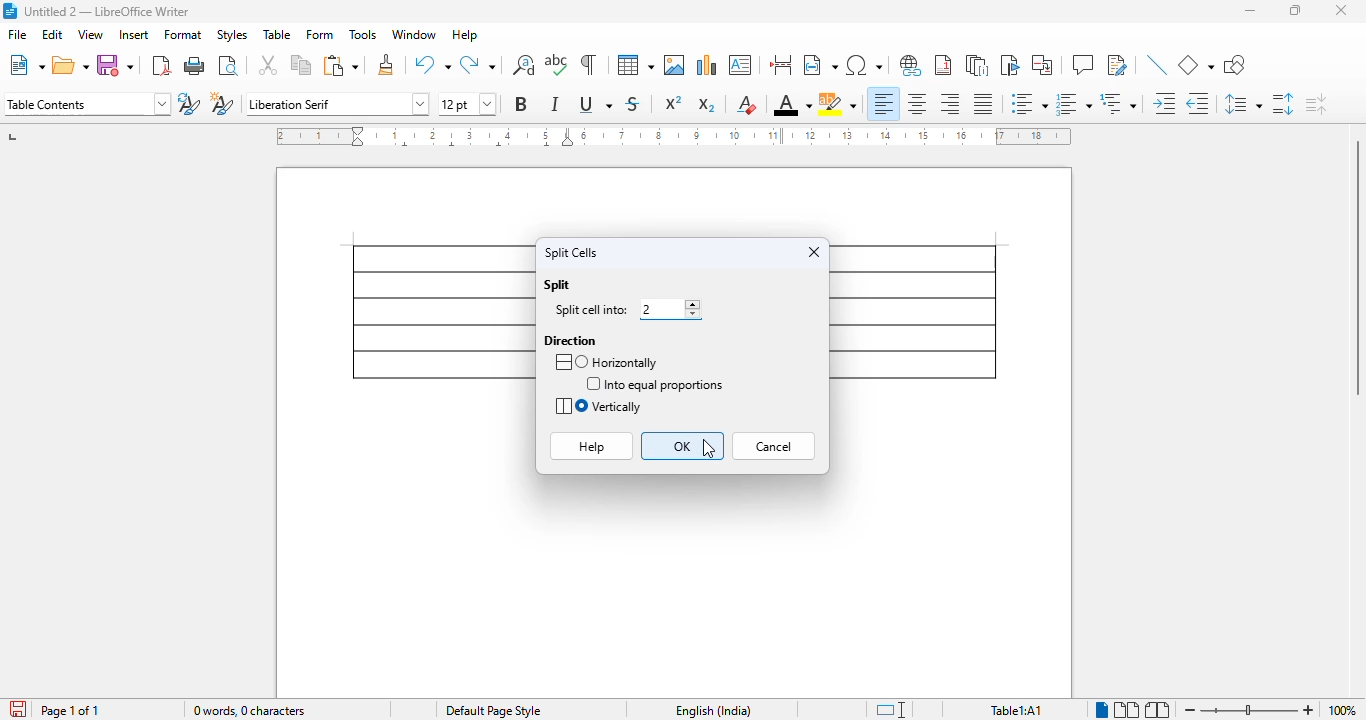  I want to click on increase indent, so click(1165, 103).